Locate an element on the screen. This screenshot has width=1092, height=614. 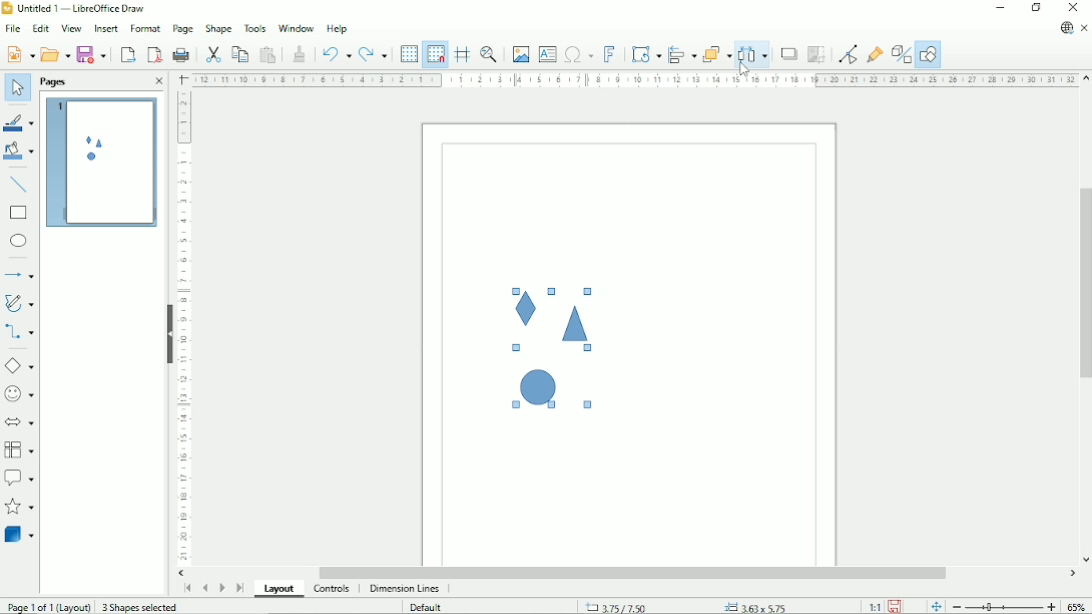
Display grid is located at coordinates (408, 53).